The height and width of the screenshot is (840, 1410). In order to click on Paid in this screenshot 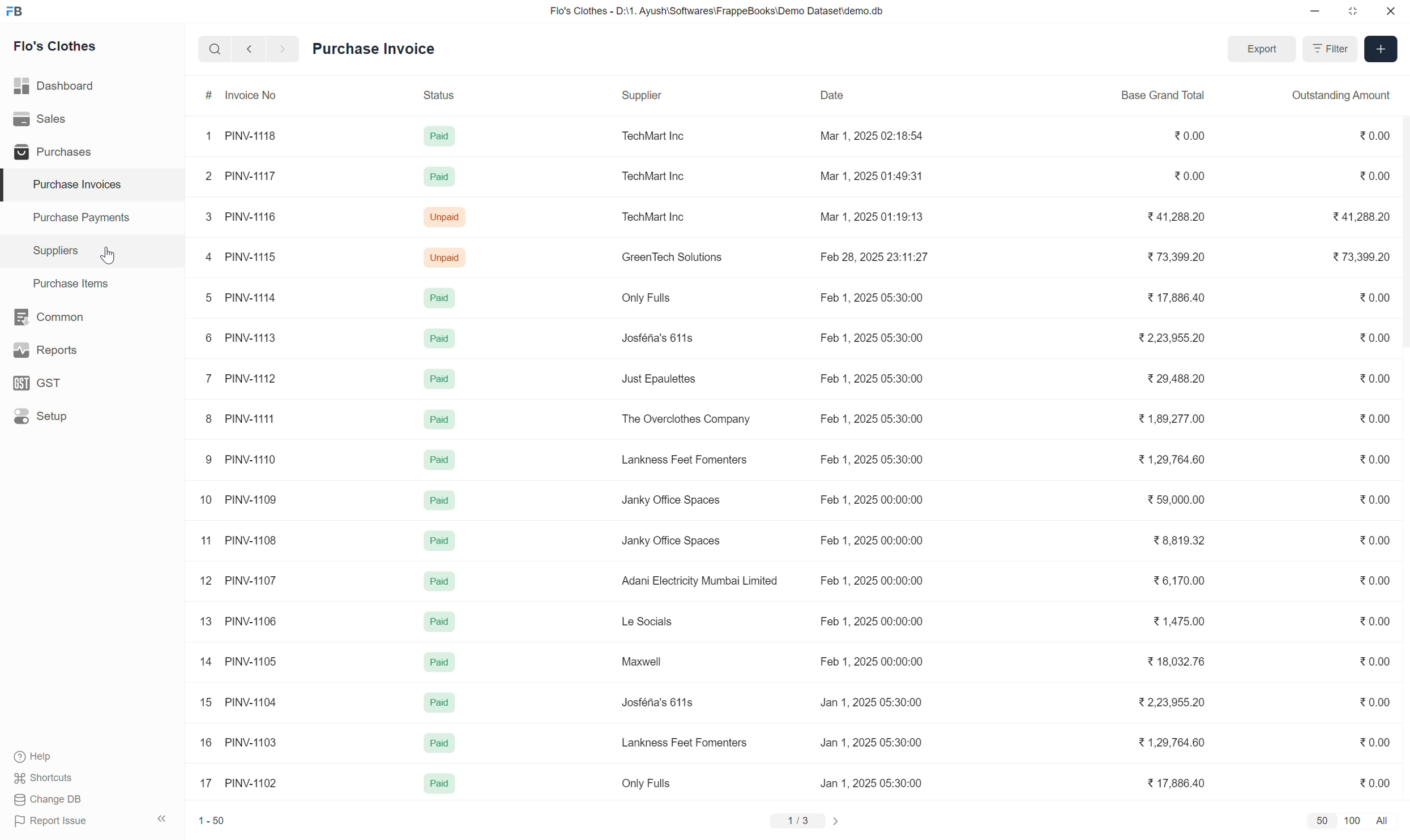, I will do `click(438, 619)`.